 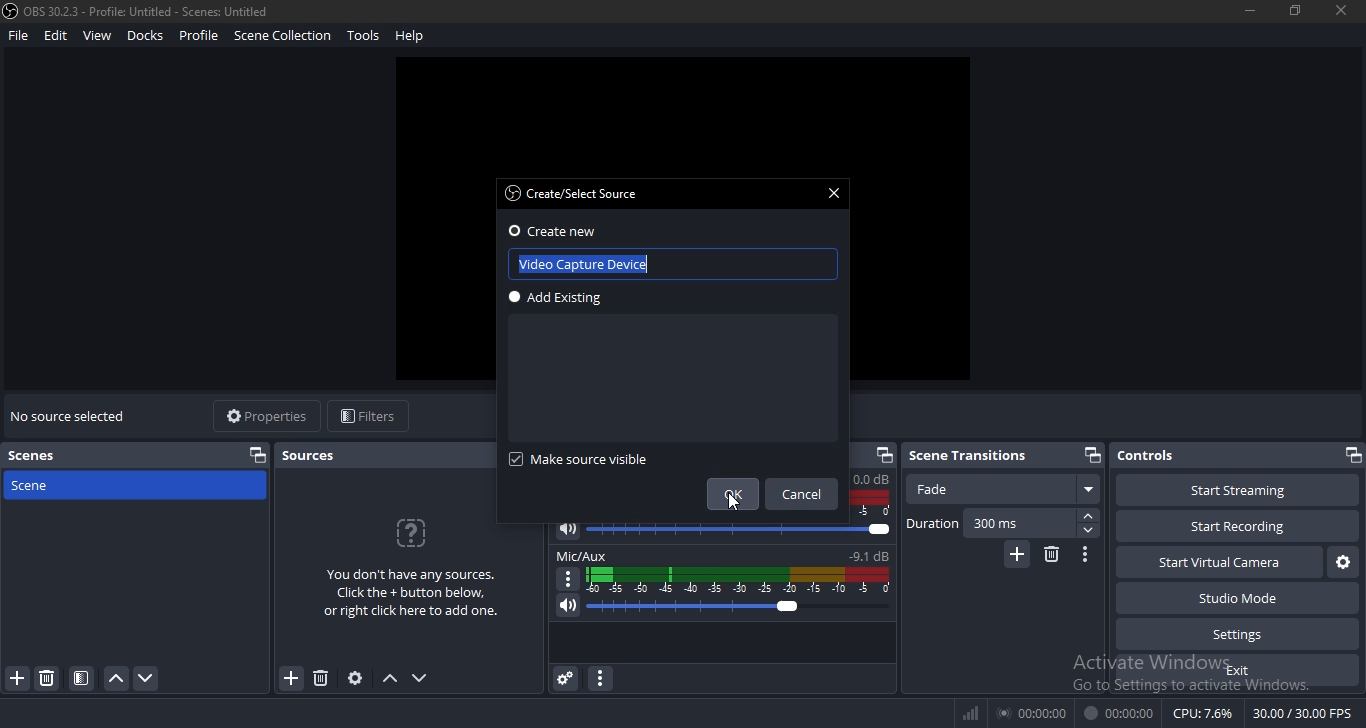 I want to click on ok, so click(x=737, y=492).